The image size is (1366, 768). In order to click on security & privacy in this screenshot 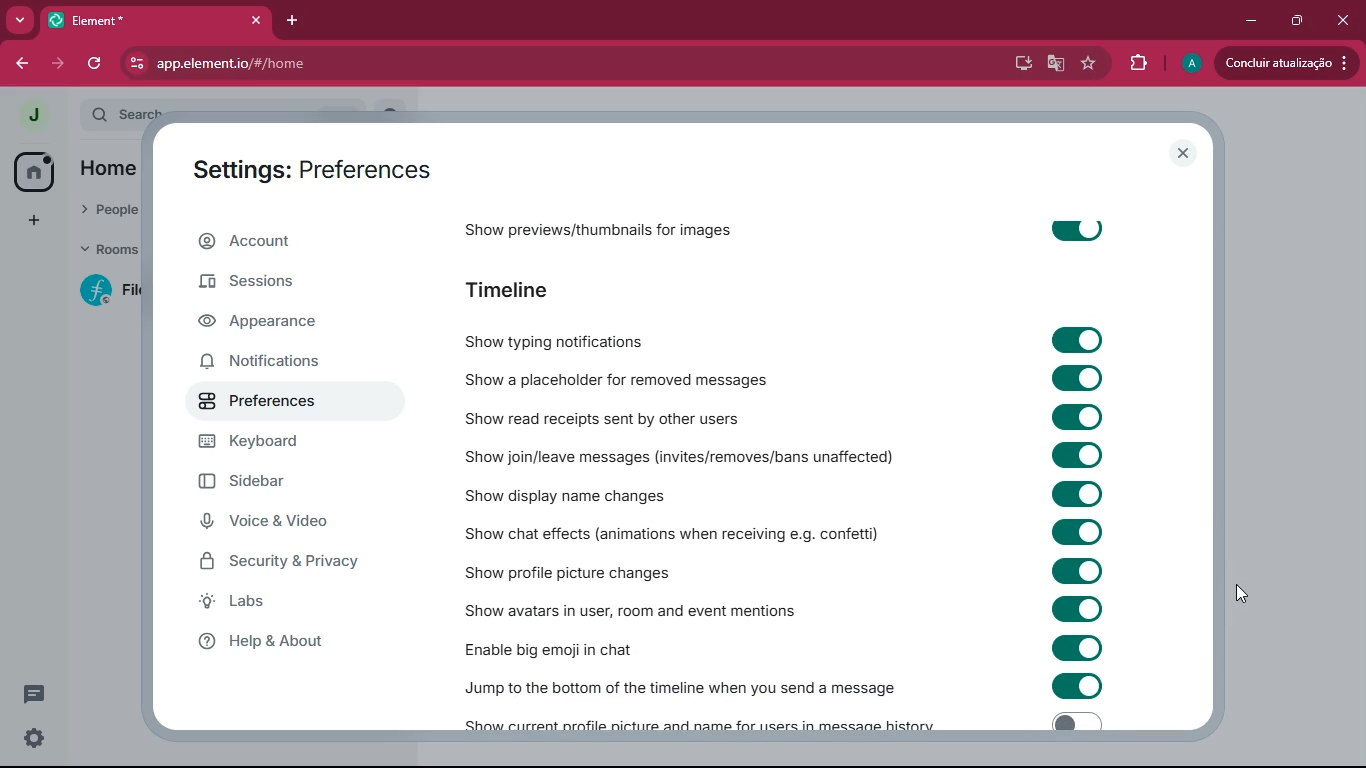, I will do `click(283, 566)`.